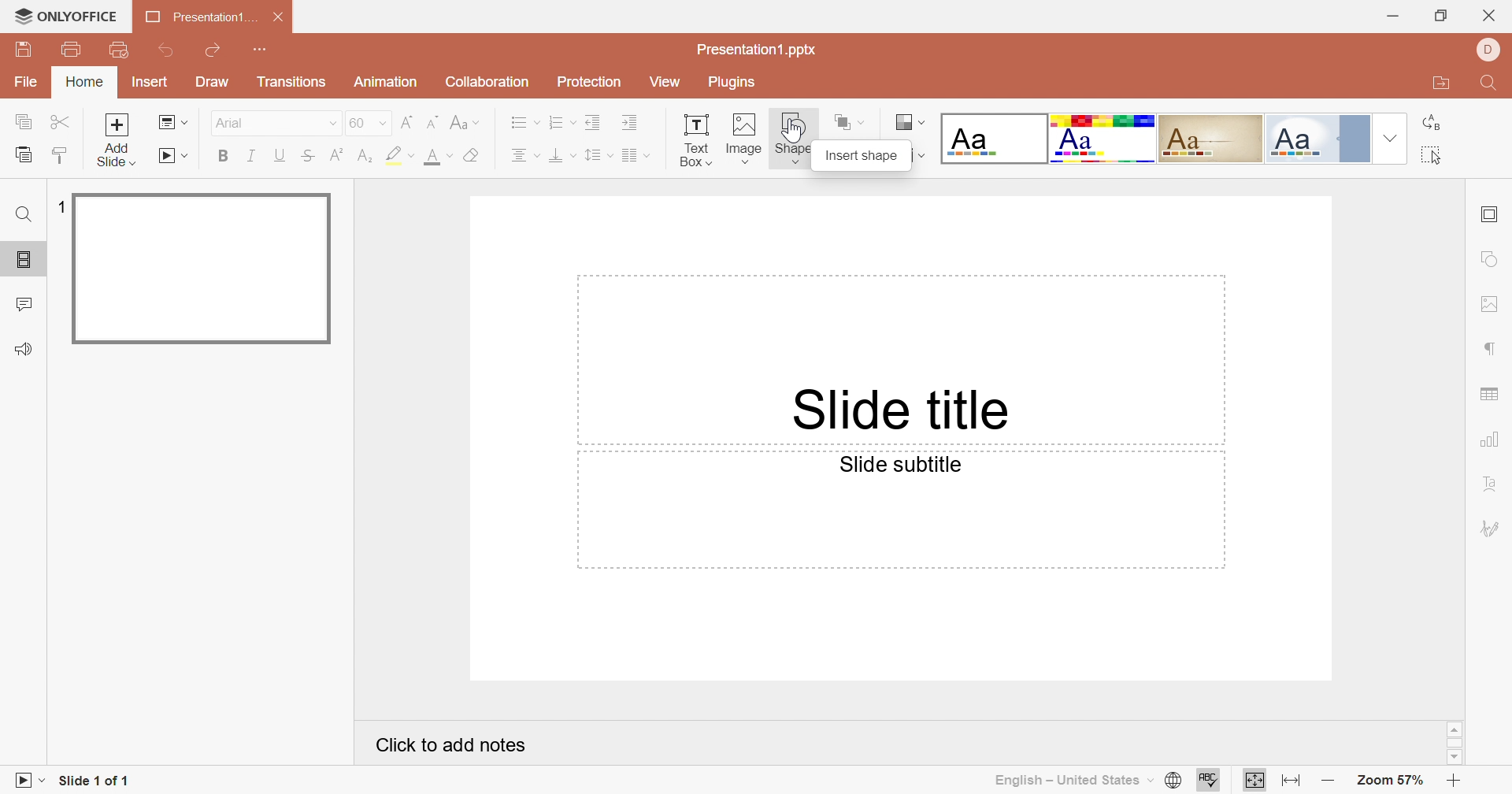  Describe the element at coordinates (587, 86) in the screenshot. I see `Protection` at that location.